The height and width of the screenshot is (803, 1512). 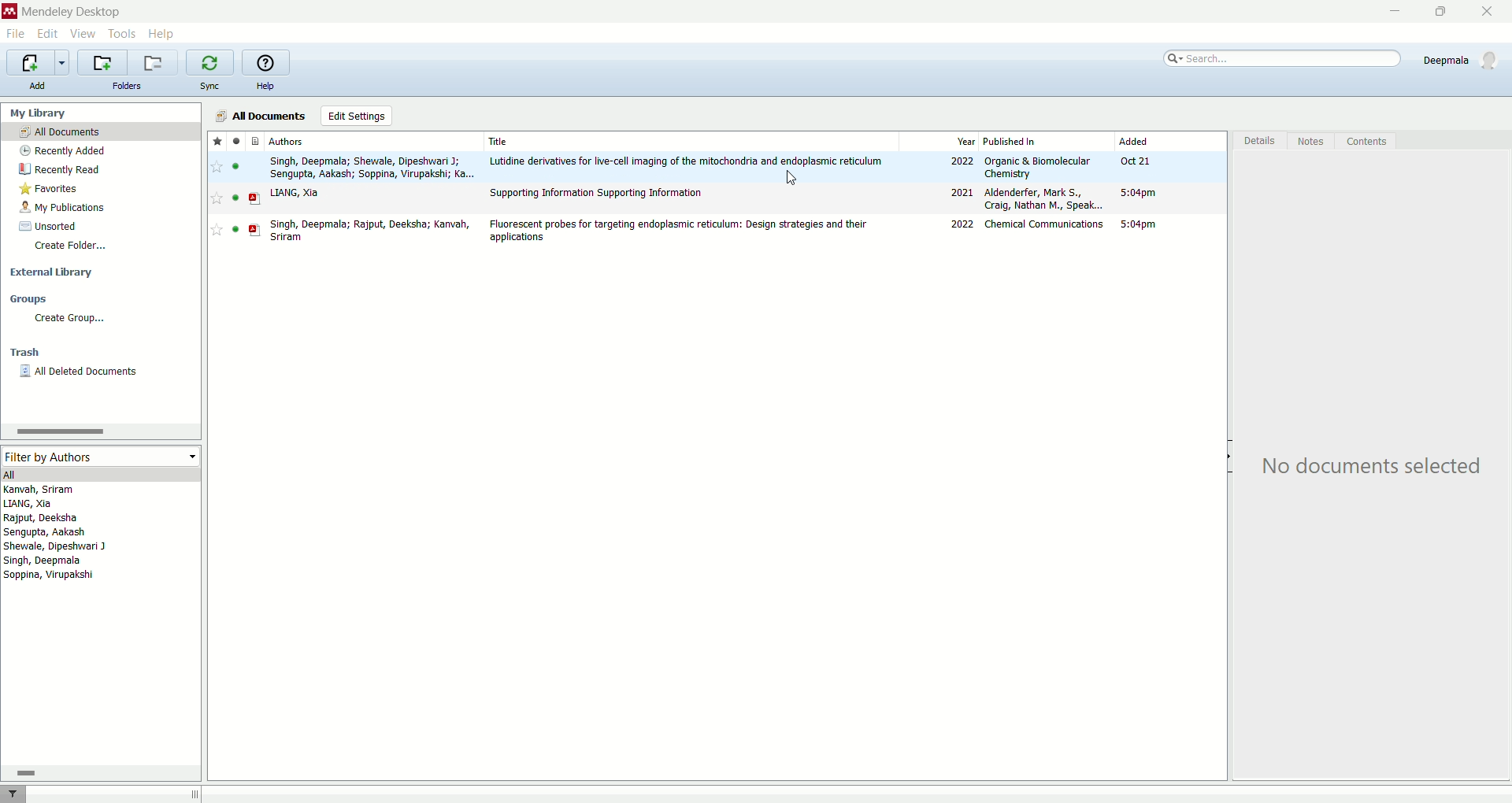 What do you see at coordinates (258, 116) in the screenshot?
I see `all documents` at bounding box center [258, 116].